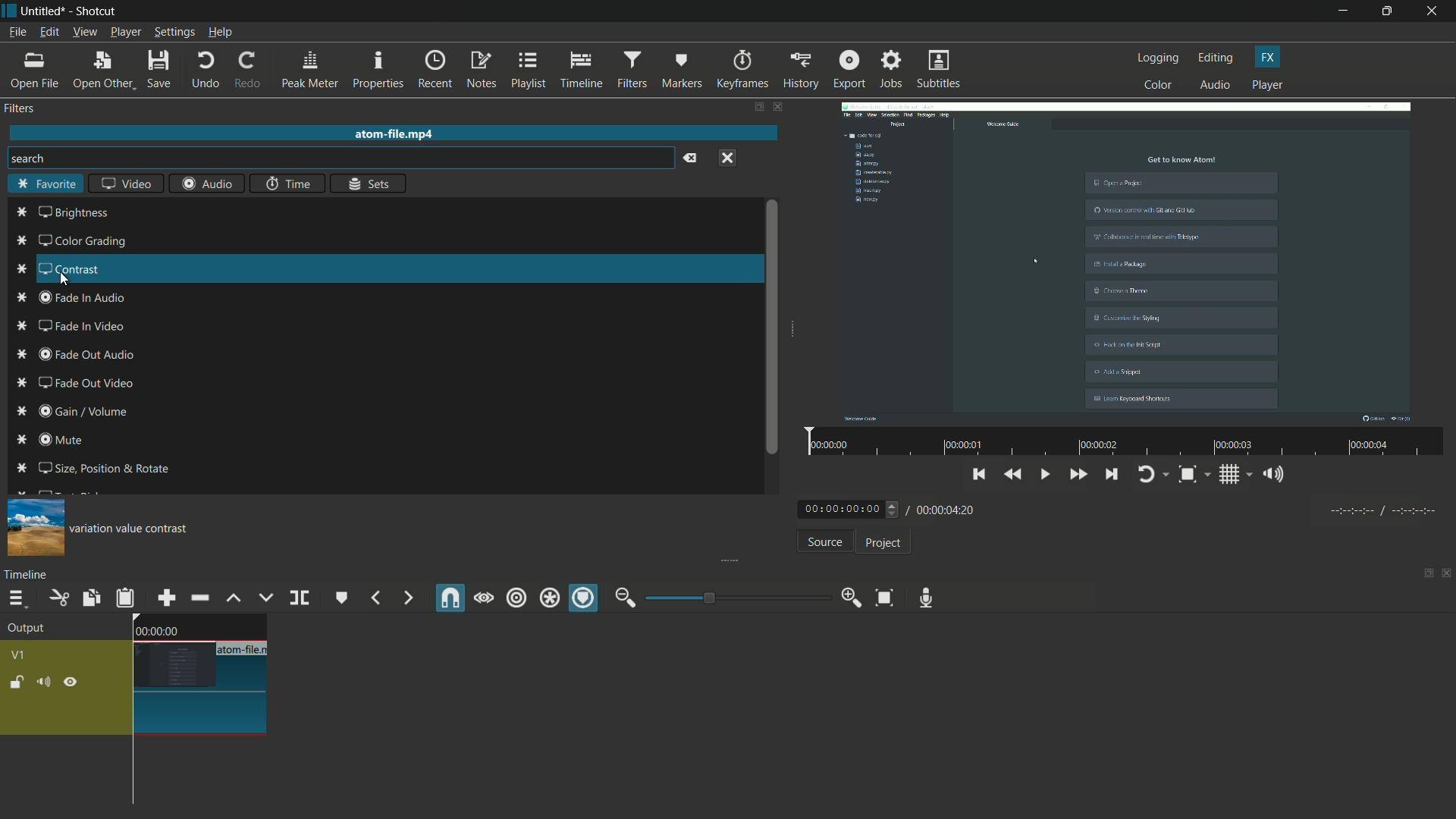  I want to click on mute, so click(54, 441).